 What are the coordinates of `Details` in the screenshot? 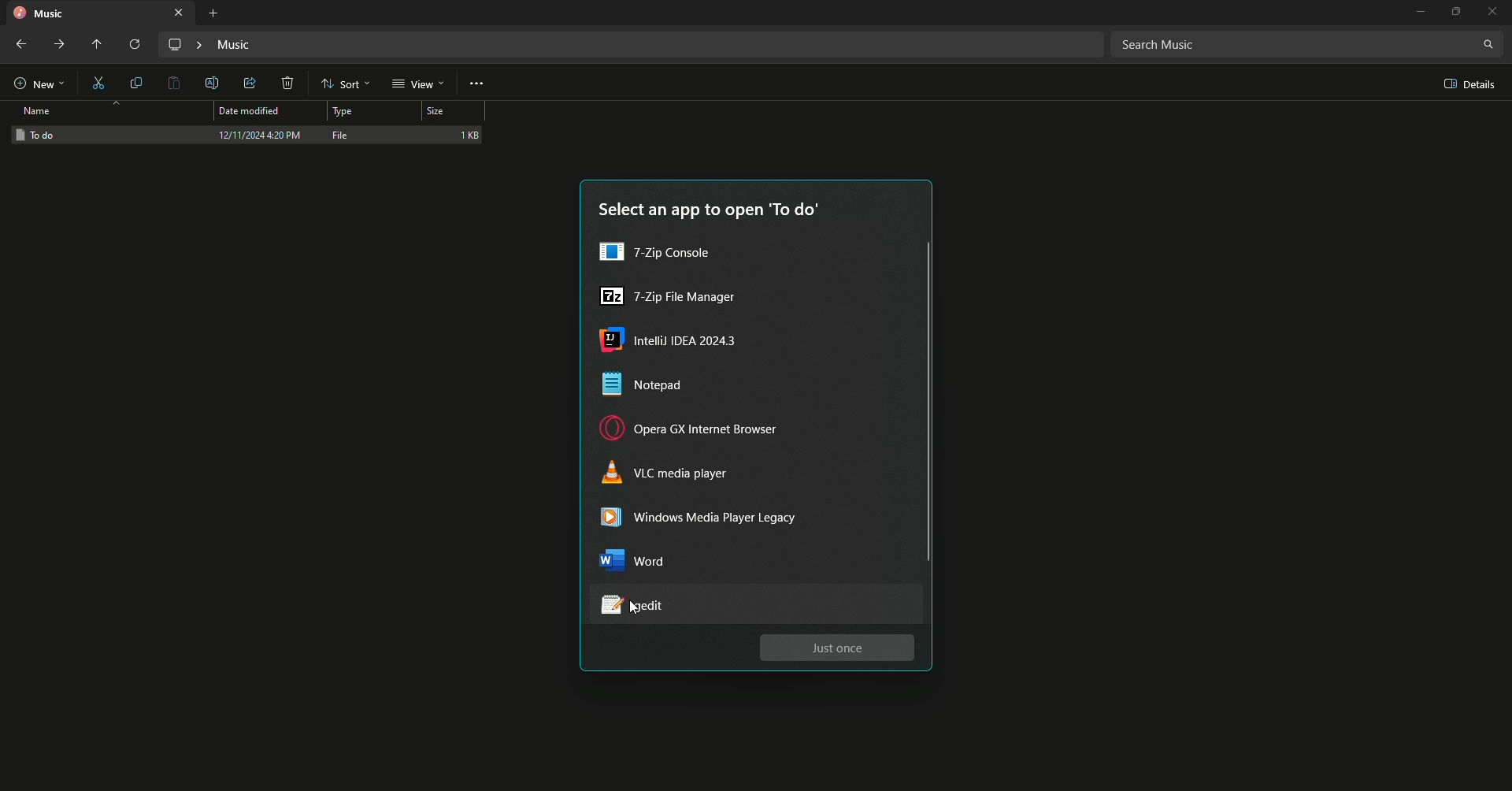 It's located at (1459, 84).